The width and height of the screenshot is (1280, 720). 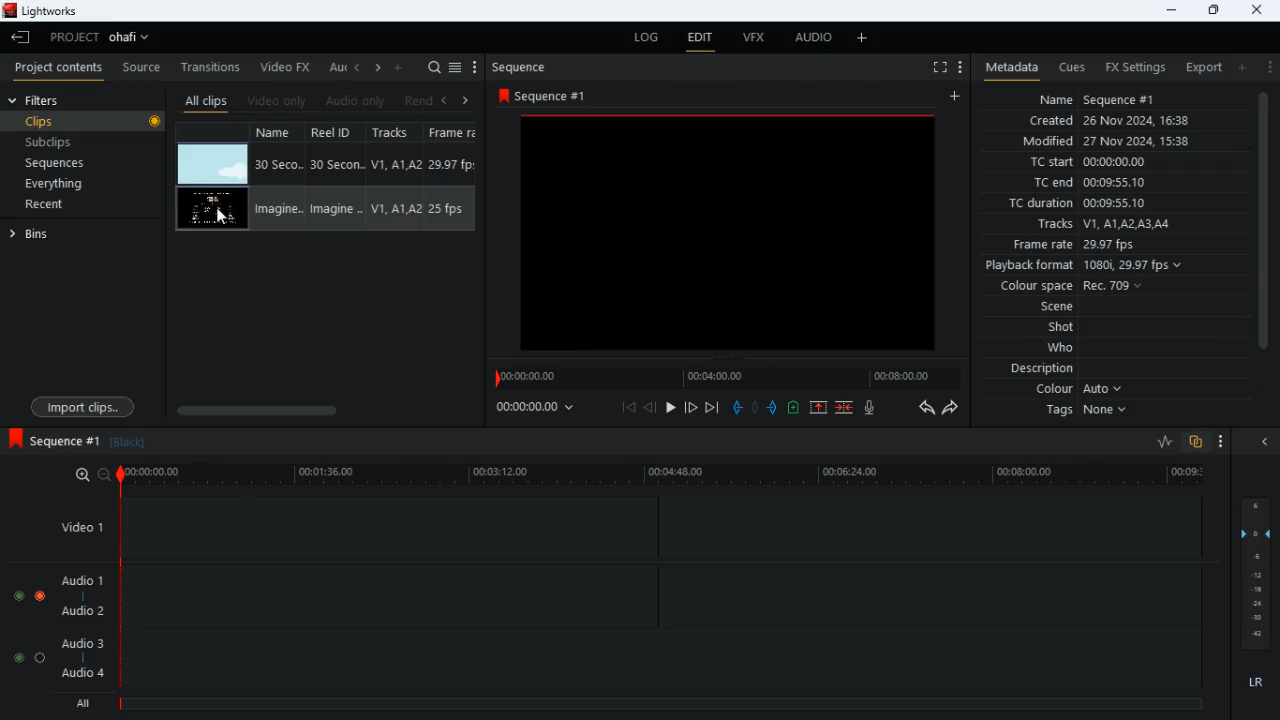 I want to click on timeline tracks, so click(x=662, y=526).